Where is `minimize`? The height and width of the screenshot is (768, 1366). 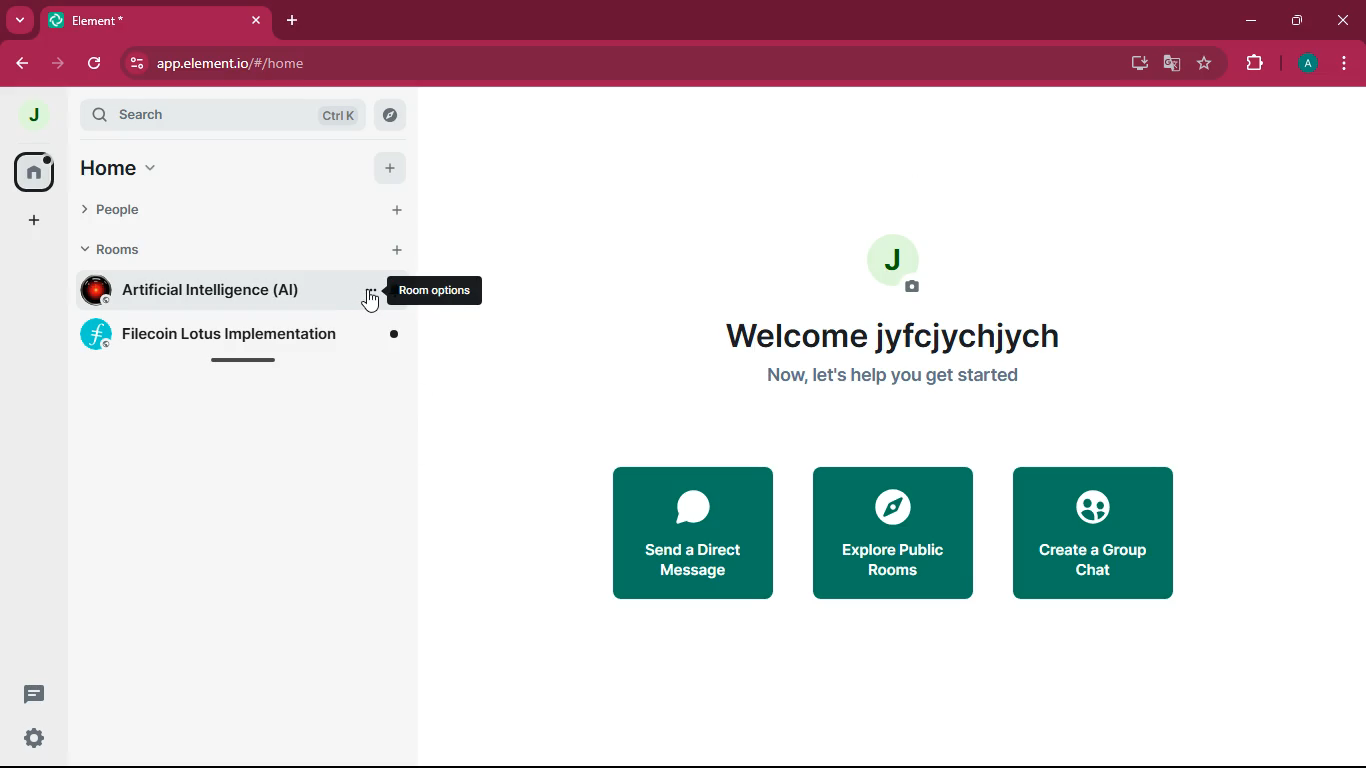
minimize is located at coordinates (1253, 20).